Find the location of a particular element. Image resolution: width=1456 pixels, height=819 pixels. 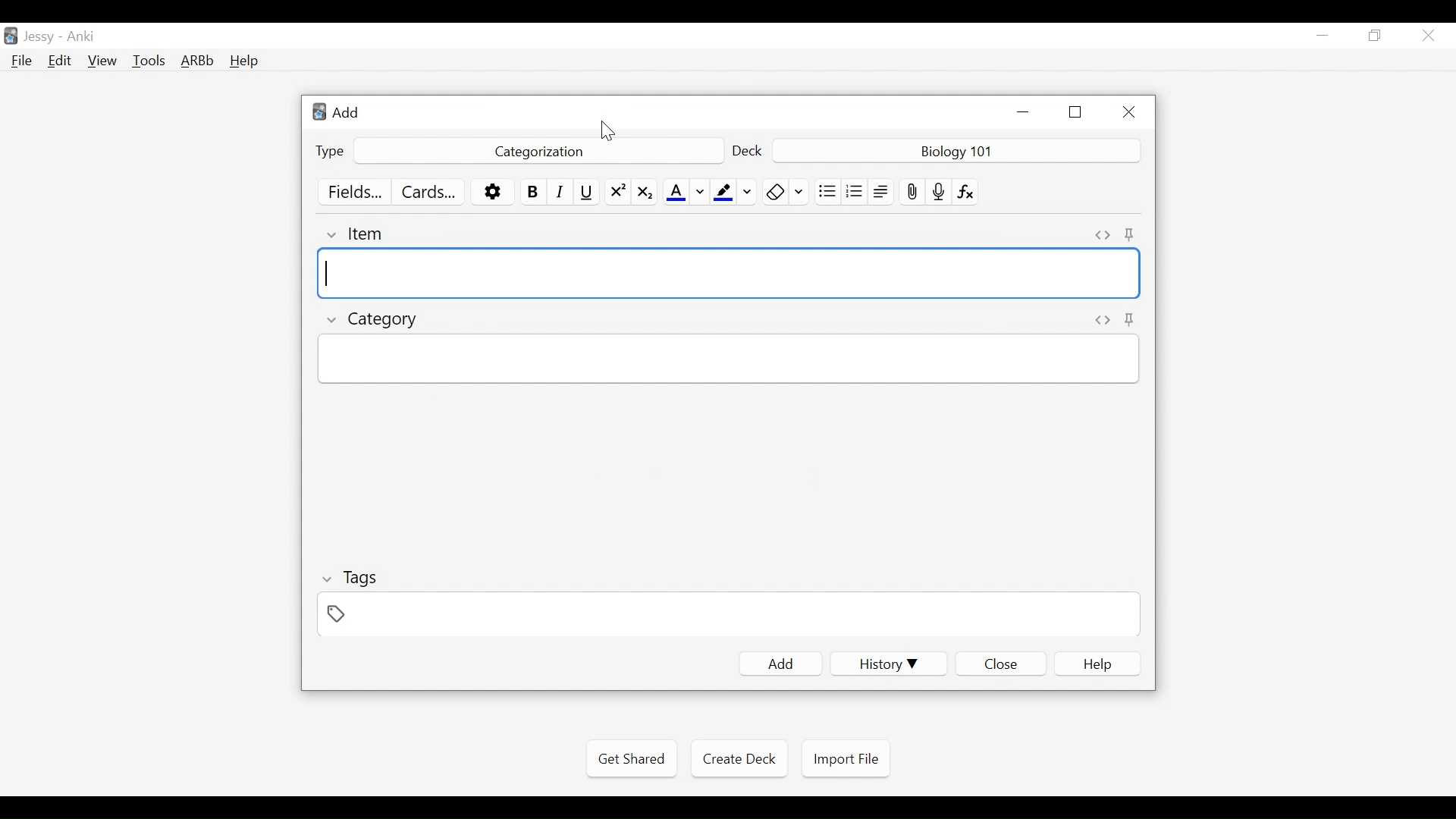

Edit is located at coordinates (58, 62).